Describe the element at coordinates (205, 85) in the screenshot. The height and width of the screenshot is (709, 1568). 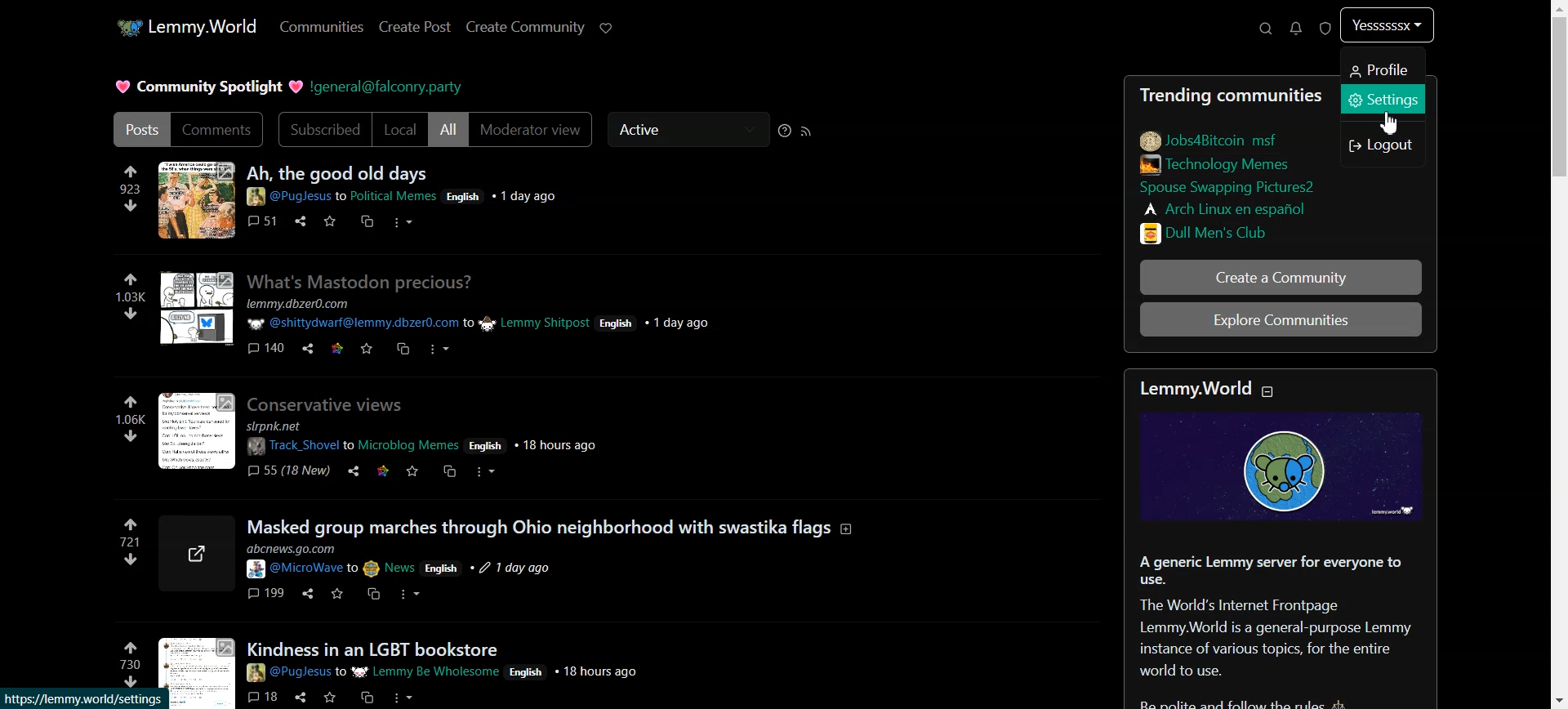
I see `Text` at that location.